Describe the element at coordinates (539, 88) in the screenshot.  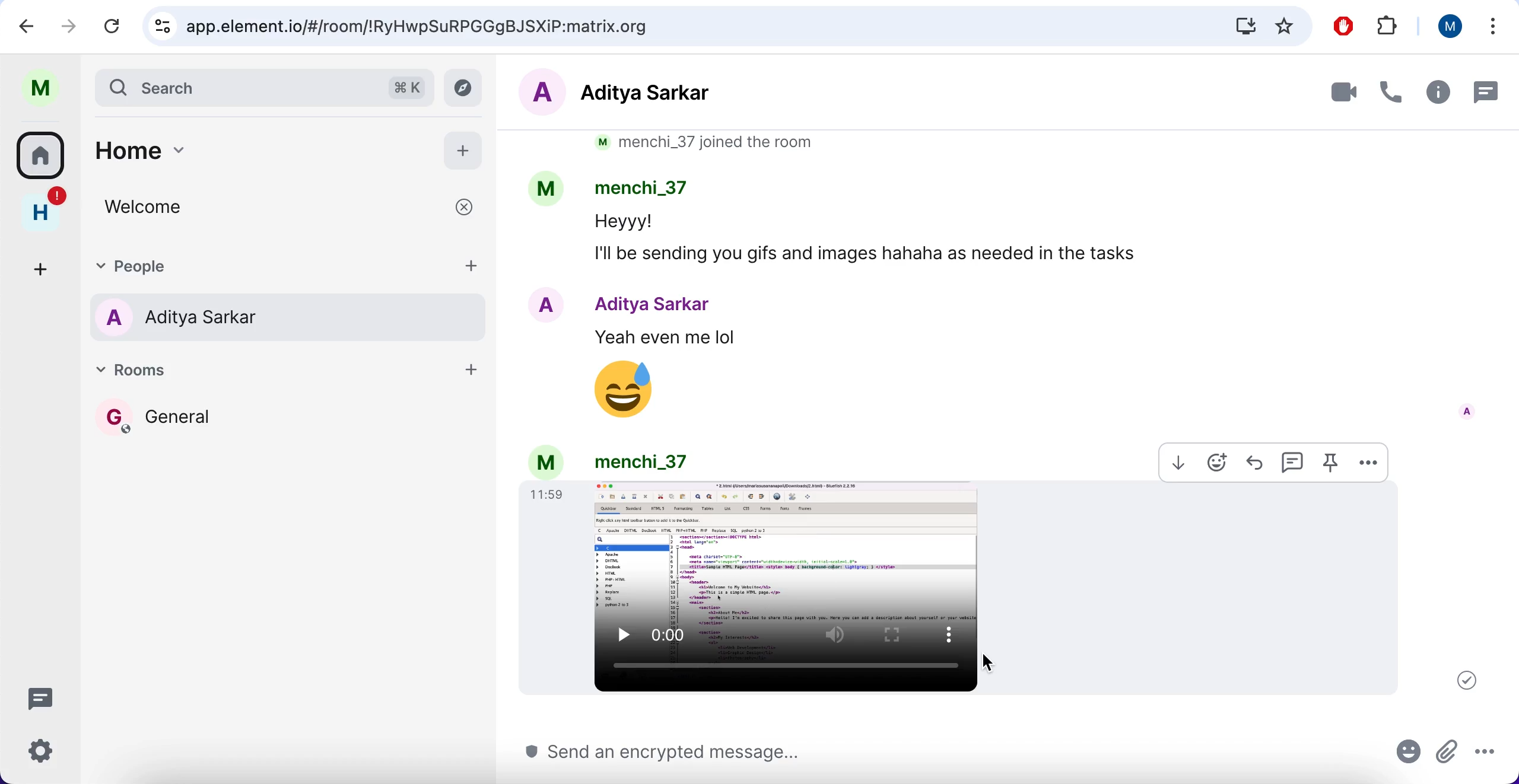
I see `A` at that location.